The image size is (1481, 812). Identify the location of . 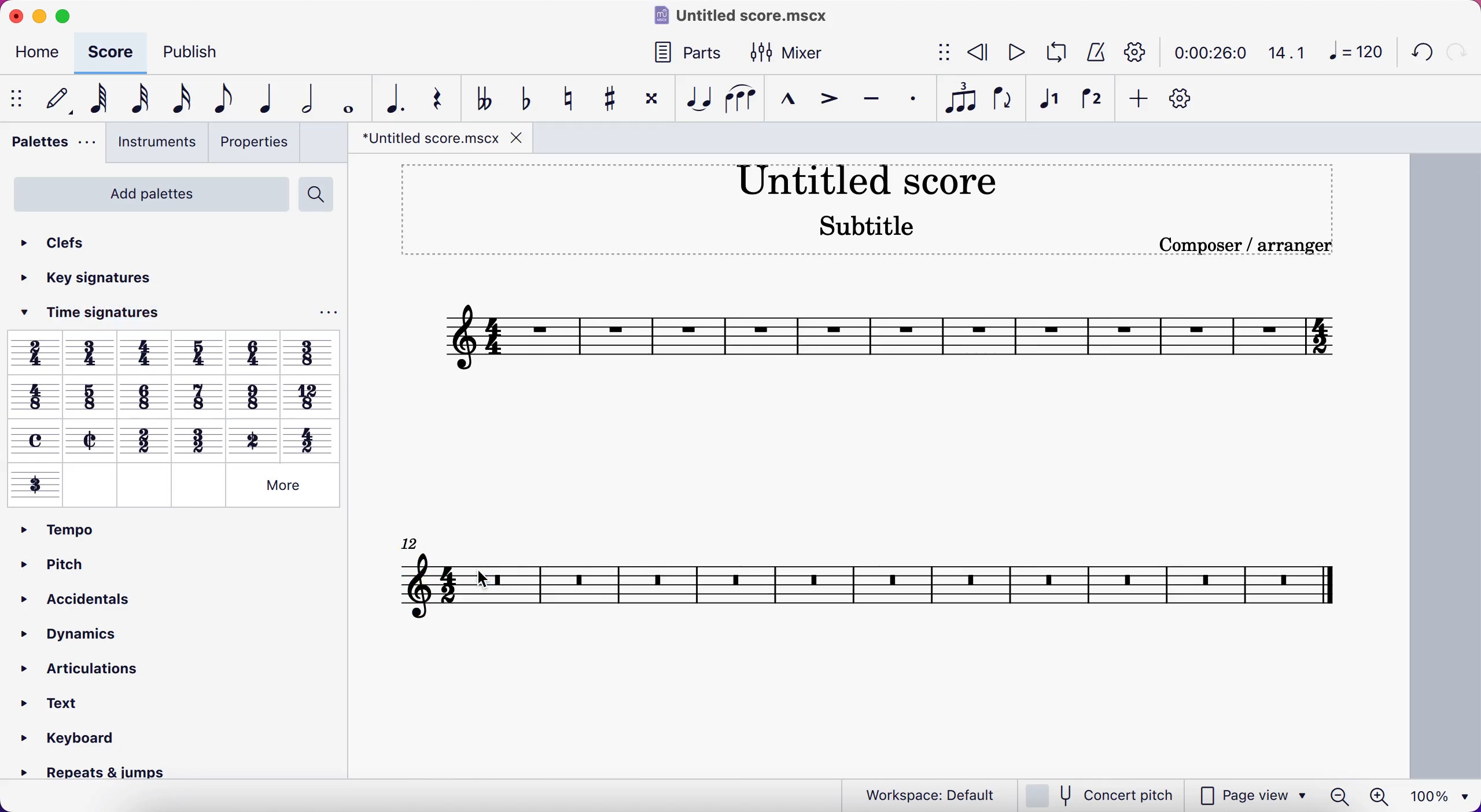
(92, 440).